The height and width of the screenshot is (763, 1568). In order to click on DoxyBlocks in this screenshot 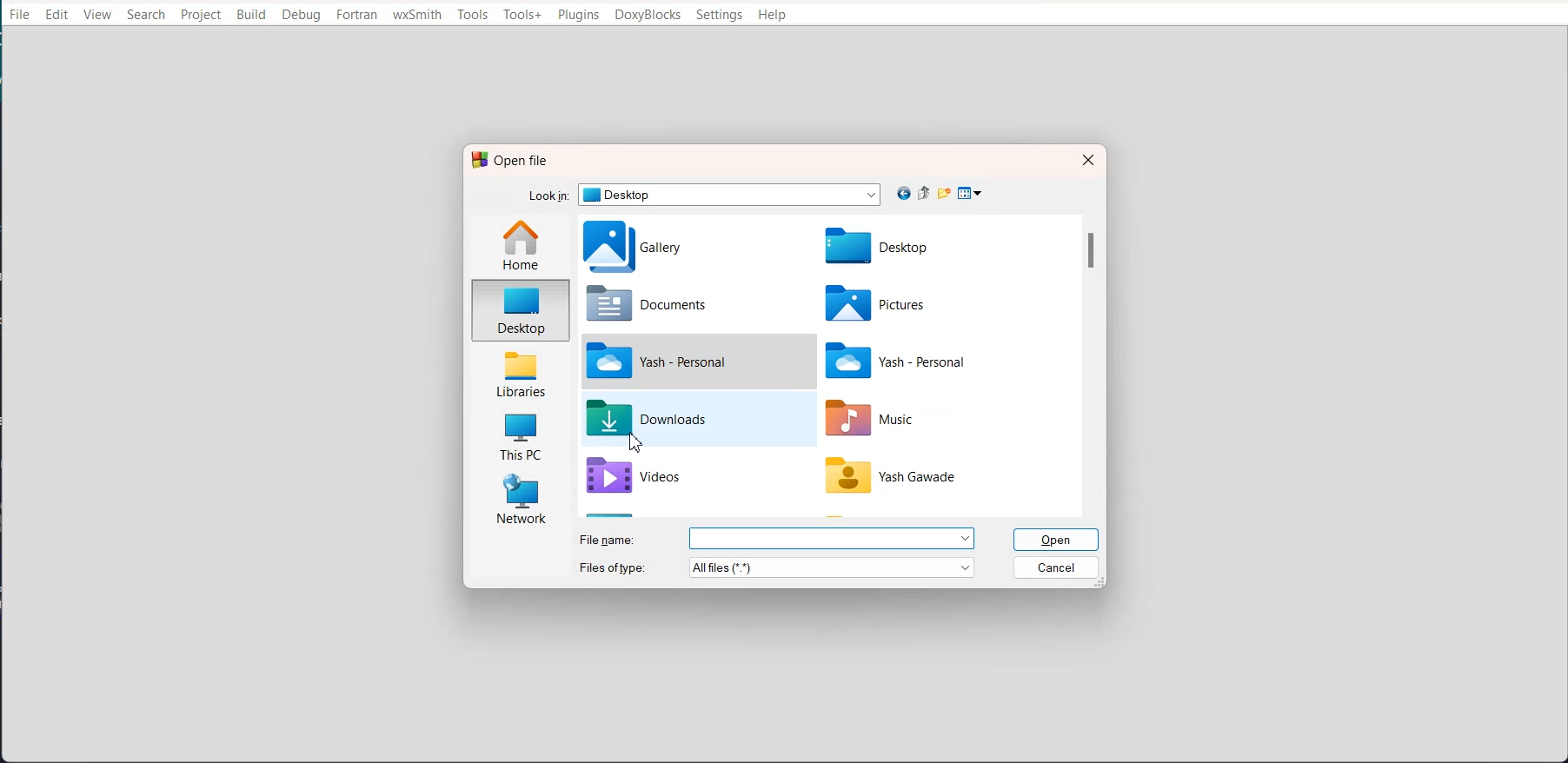, I will do `click(648, 15)`.